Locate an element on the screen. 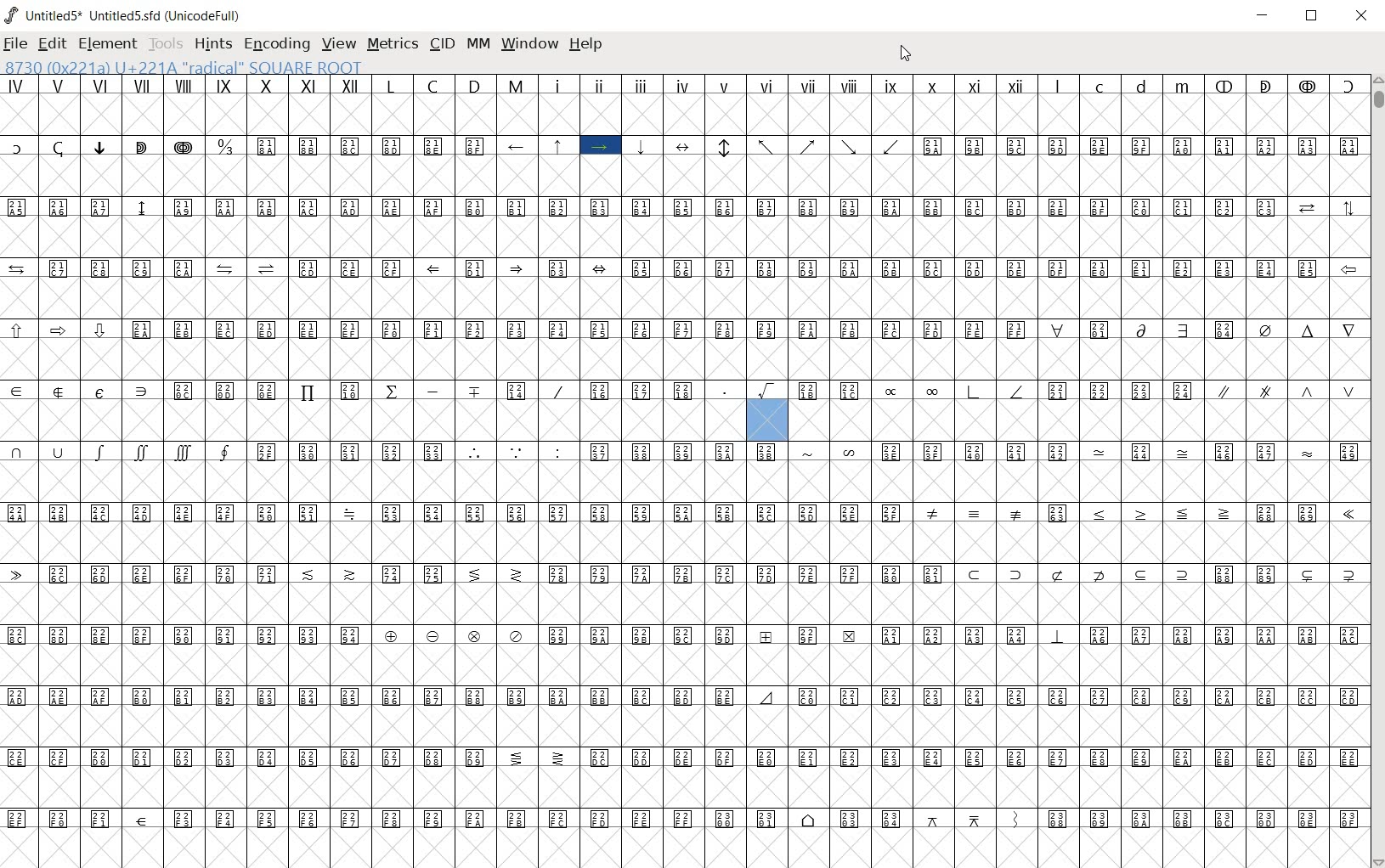 The image size is (1385, 868). GLYPHS is located at coordinates (353, 474).